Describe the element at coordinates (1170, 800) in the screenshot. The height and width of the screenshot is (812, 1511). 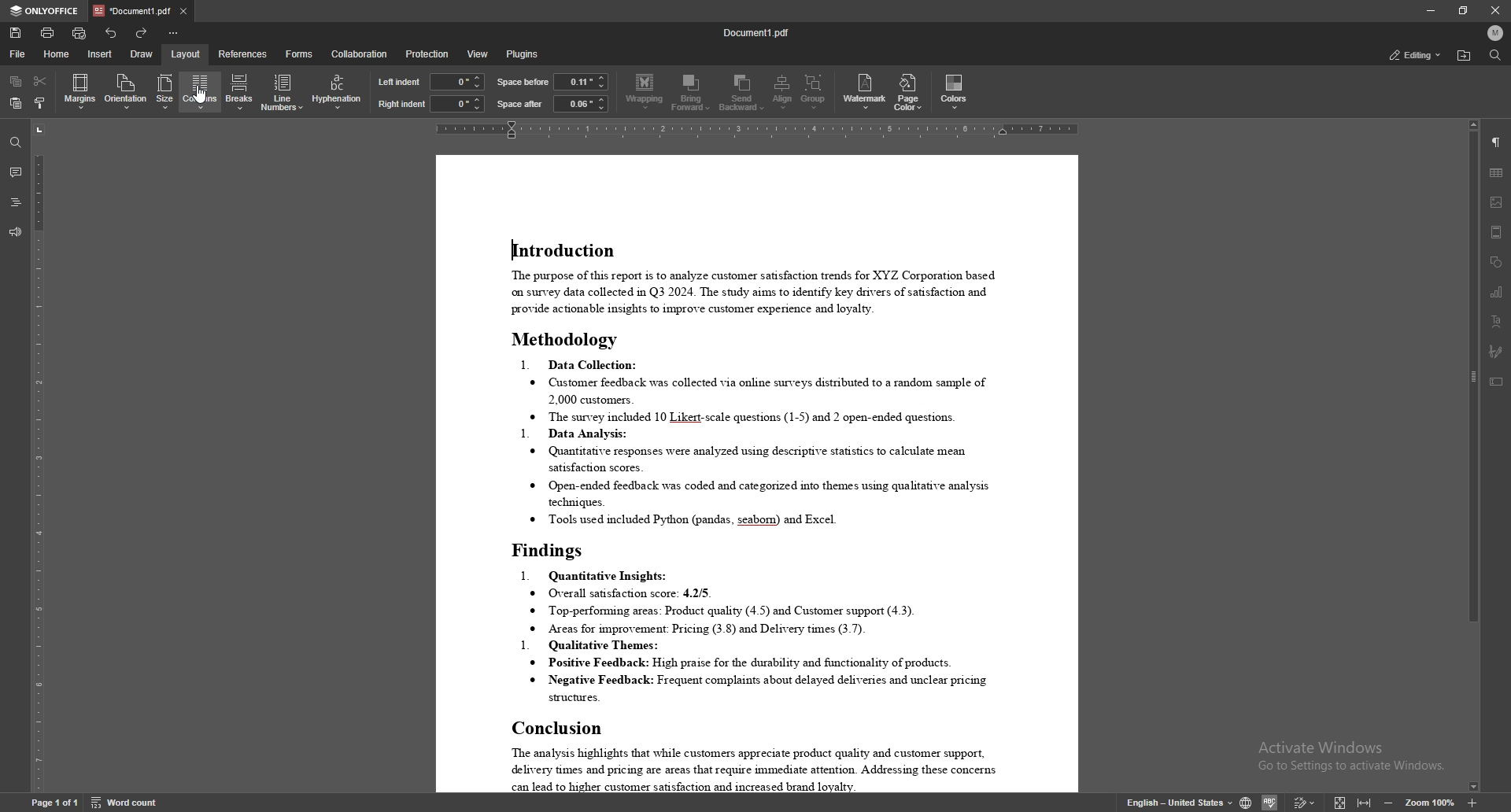
I see `change text language` at that location.